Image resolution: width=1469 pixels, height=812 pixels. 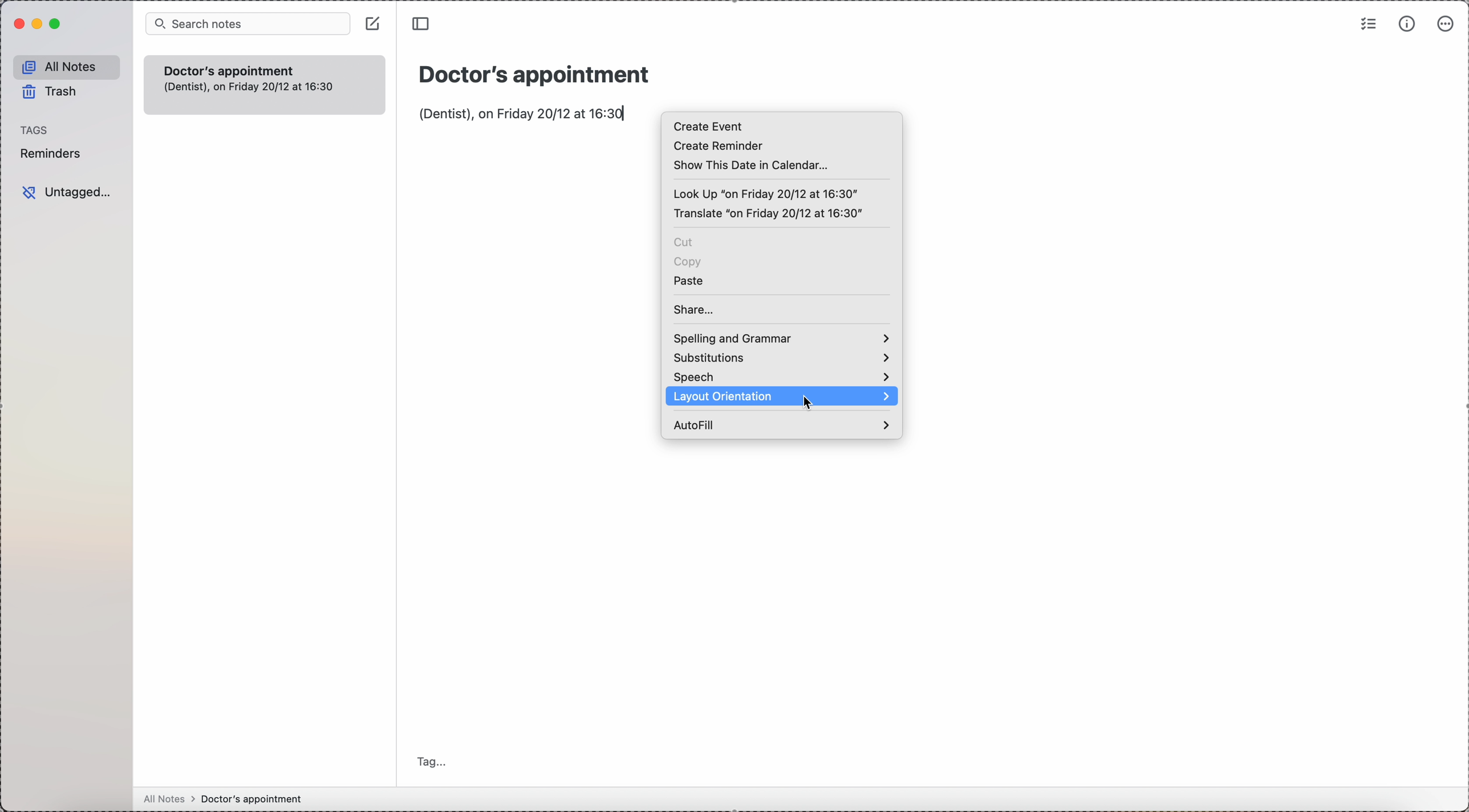 What do you see at coordinates (533, 72) in the screenshot?
I see `title: Doctor's appointment` at bounding box center [533, 72].